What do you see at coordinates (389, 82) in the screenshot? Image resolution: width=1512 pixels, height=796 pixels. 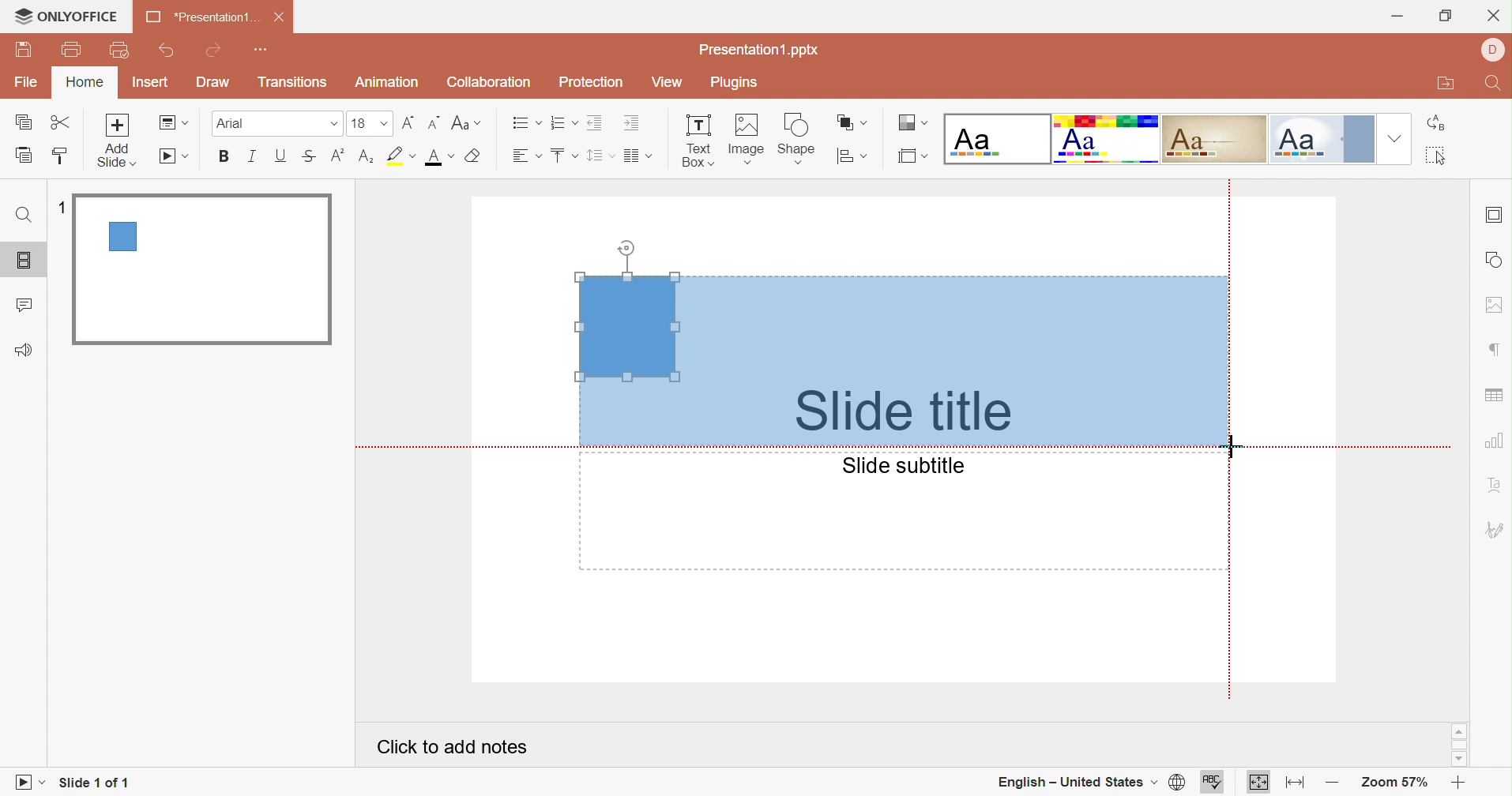 I see `Animation` at bounding box center [389, 82].